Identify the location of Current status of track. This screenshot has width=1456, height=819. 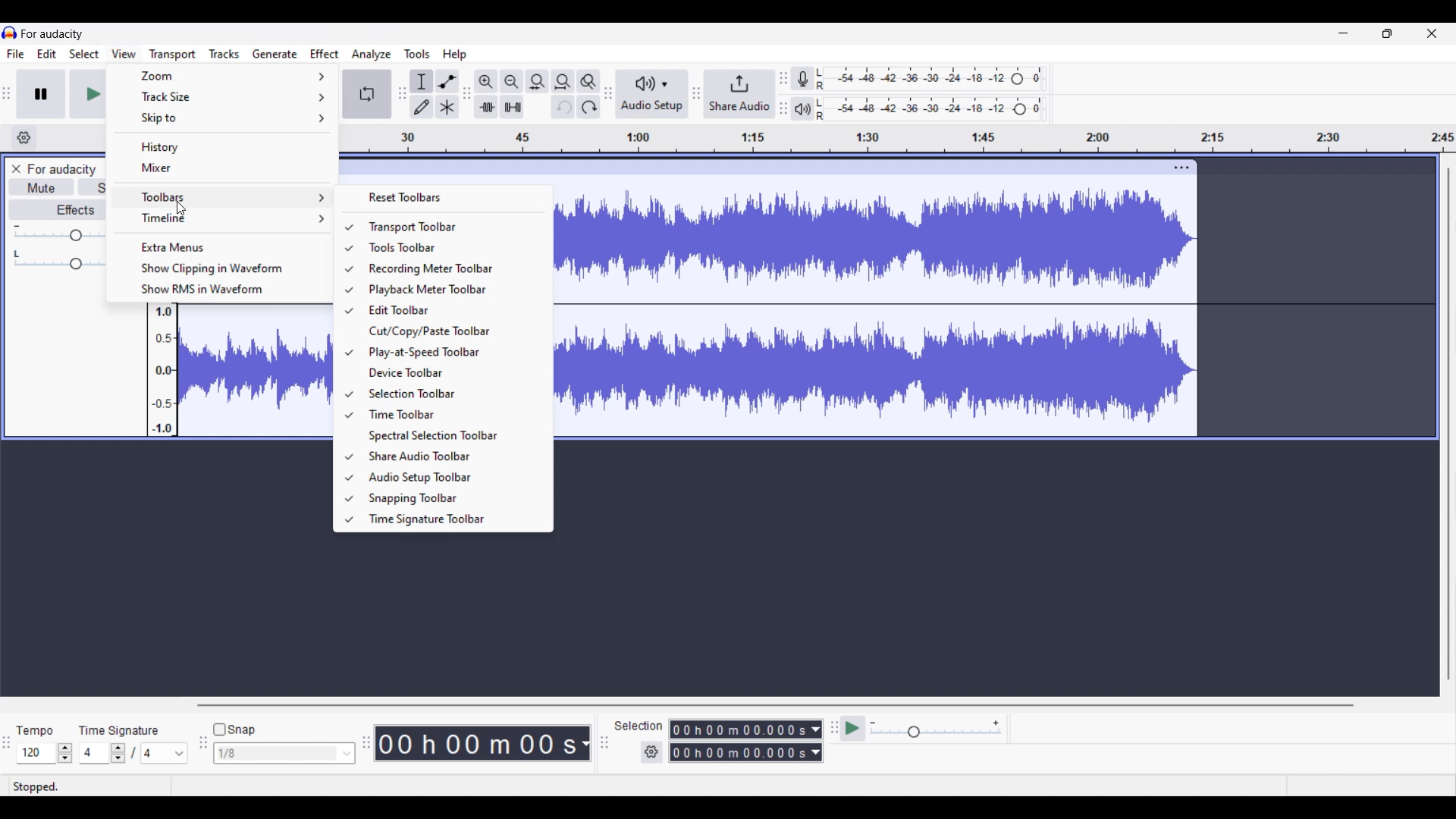
(36, 786).